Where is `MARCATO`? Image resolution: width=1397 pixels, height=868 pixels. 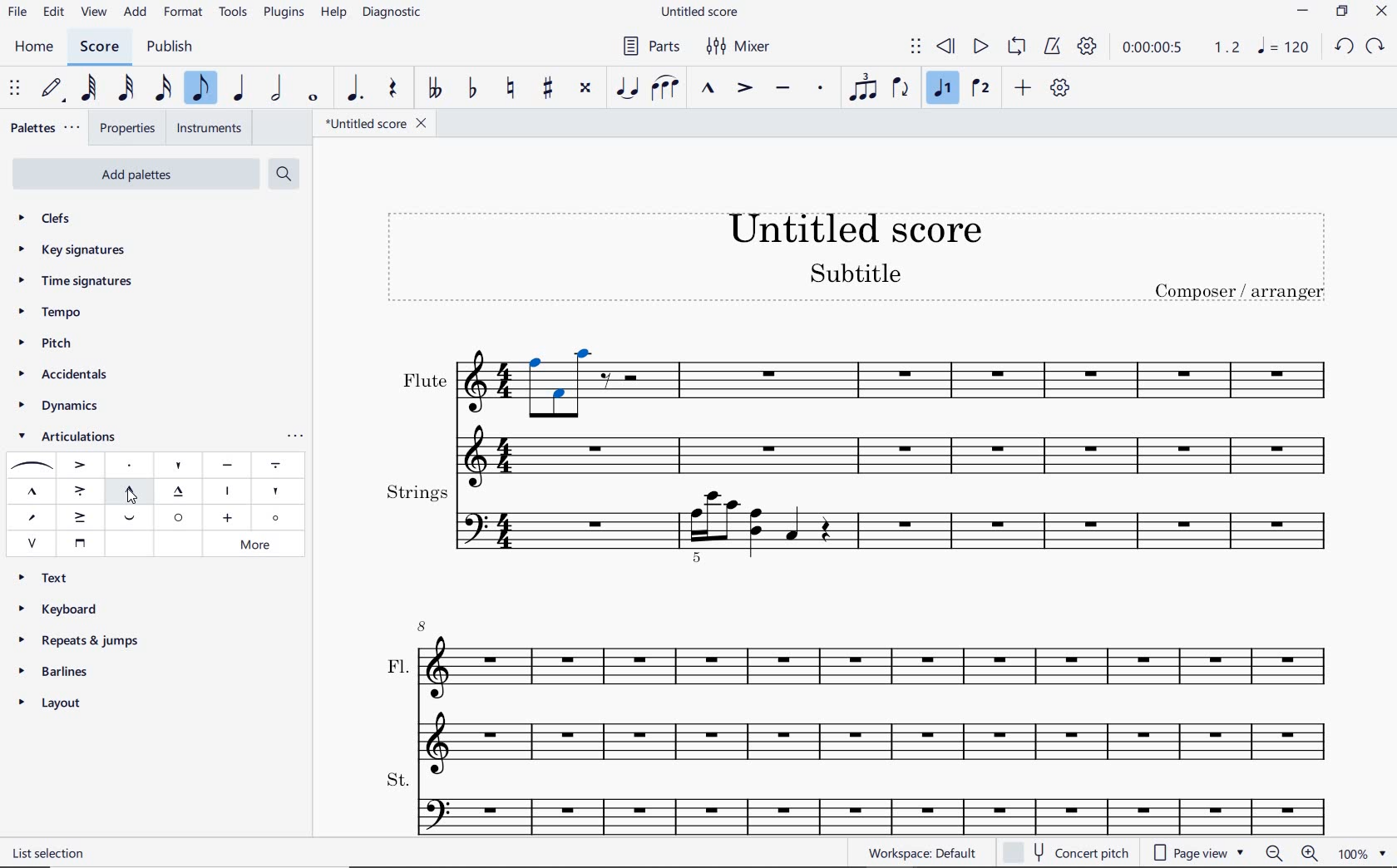
MARCATO is located at coordinates (709, 89).